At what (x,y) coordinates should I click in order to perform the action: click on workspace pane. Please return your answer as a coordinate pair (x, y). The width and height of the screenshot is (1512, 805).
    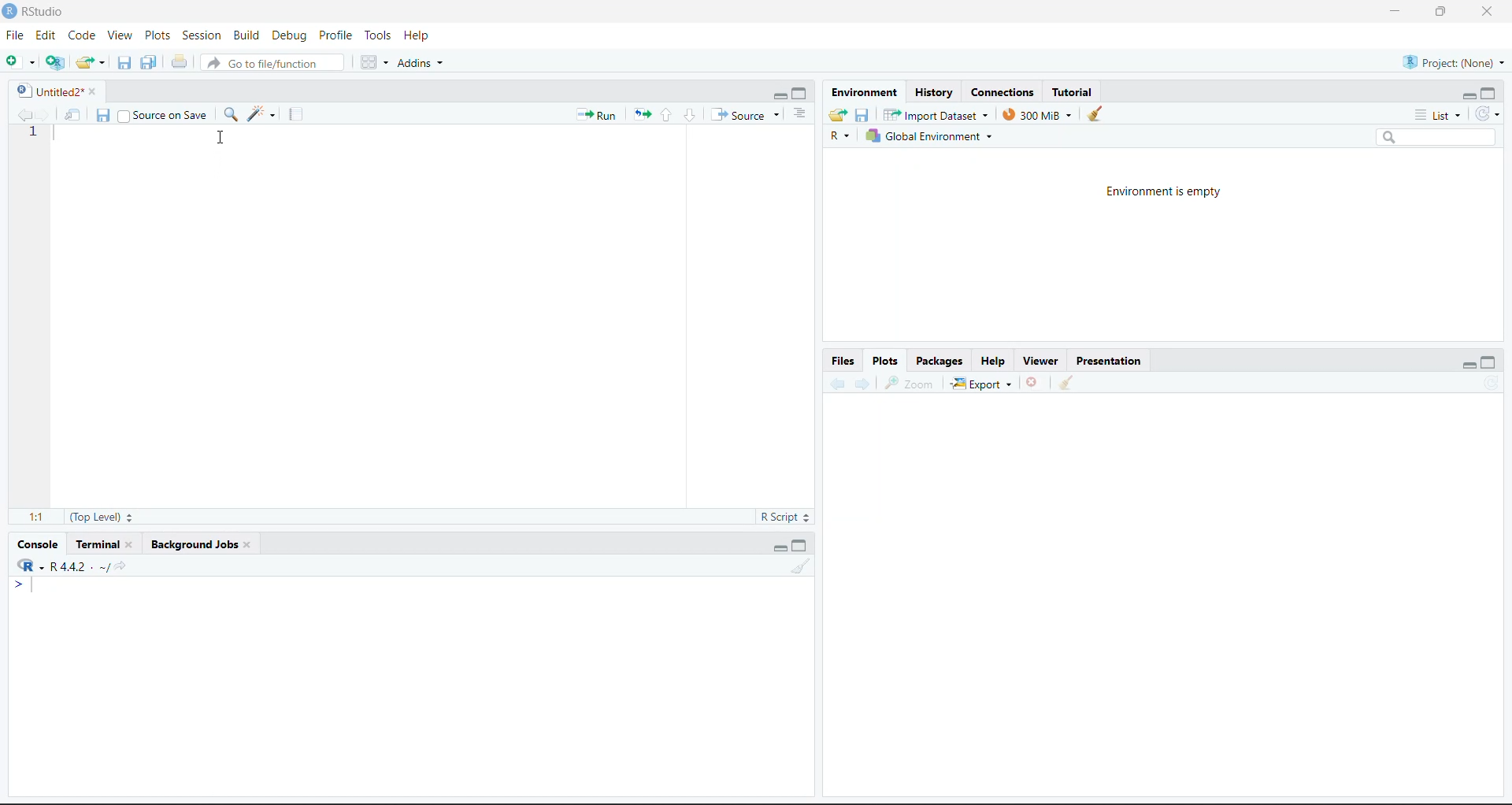
    Looking at the image, I should click on (374, 62).